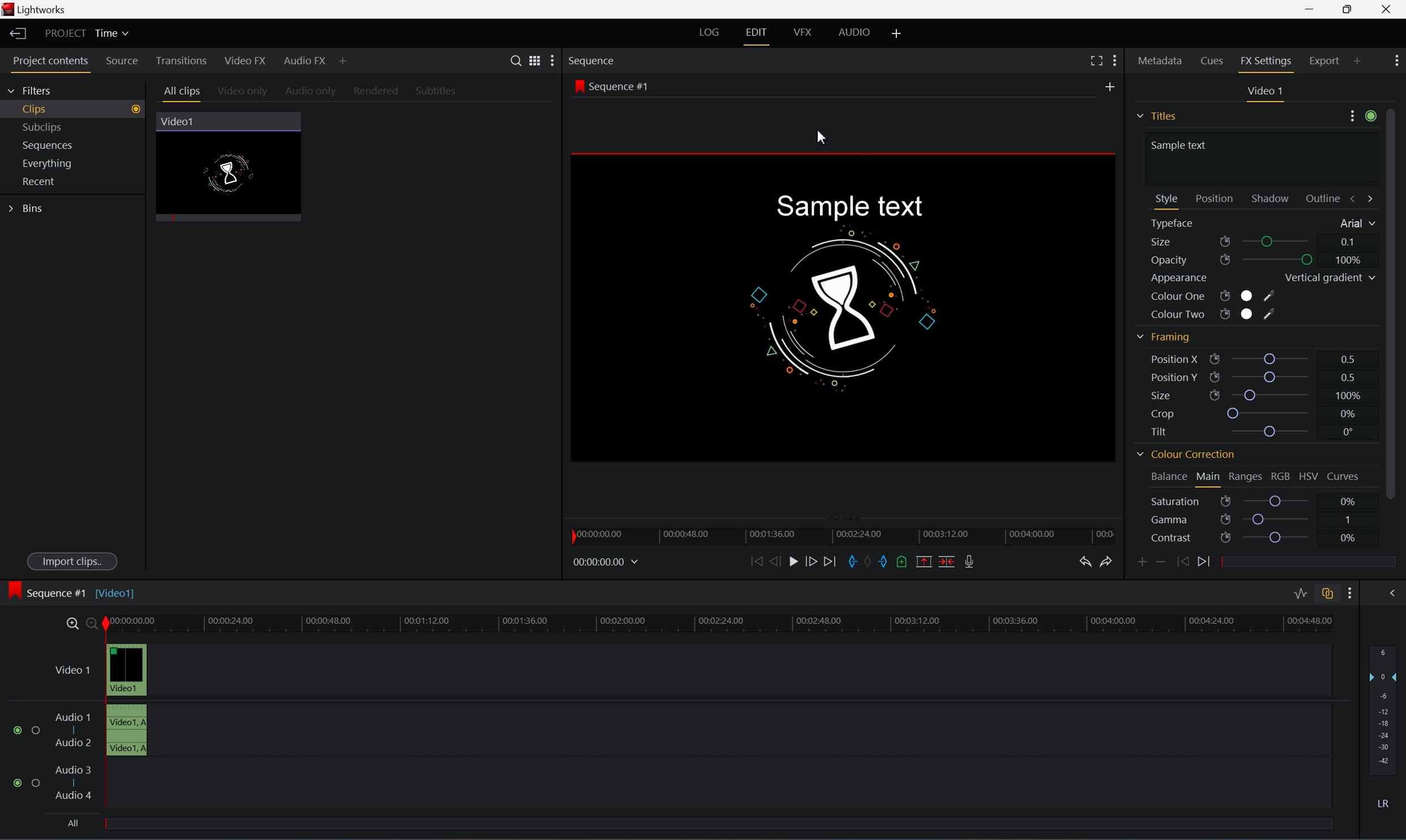  I want to click on opacity, so click(1190, 261).